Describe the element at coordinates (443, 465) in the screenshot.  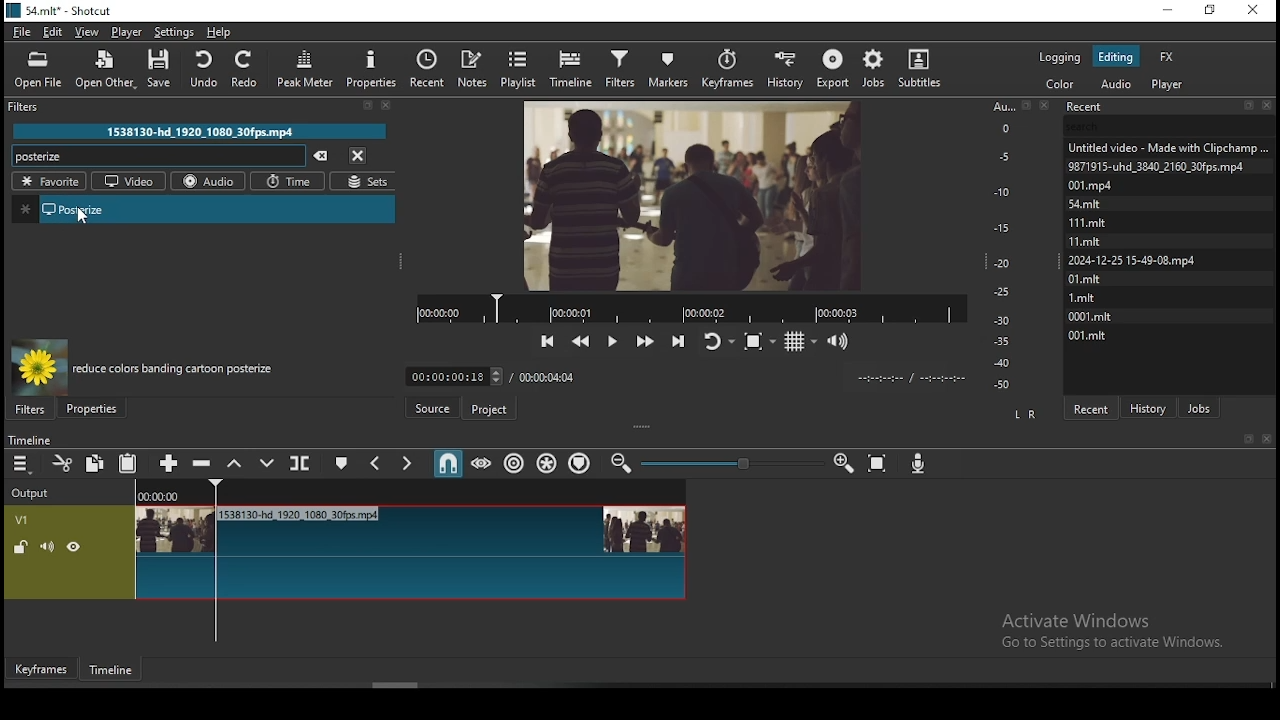
I see `snap` at that location.